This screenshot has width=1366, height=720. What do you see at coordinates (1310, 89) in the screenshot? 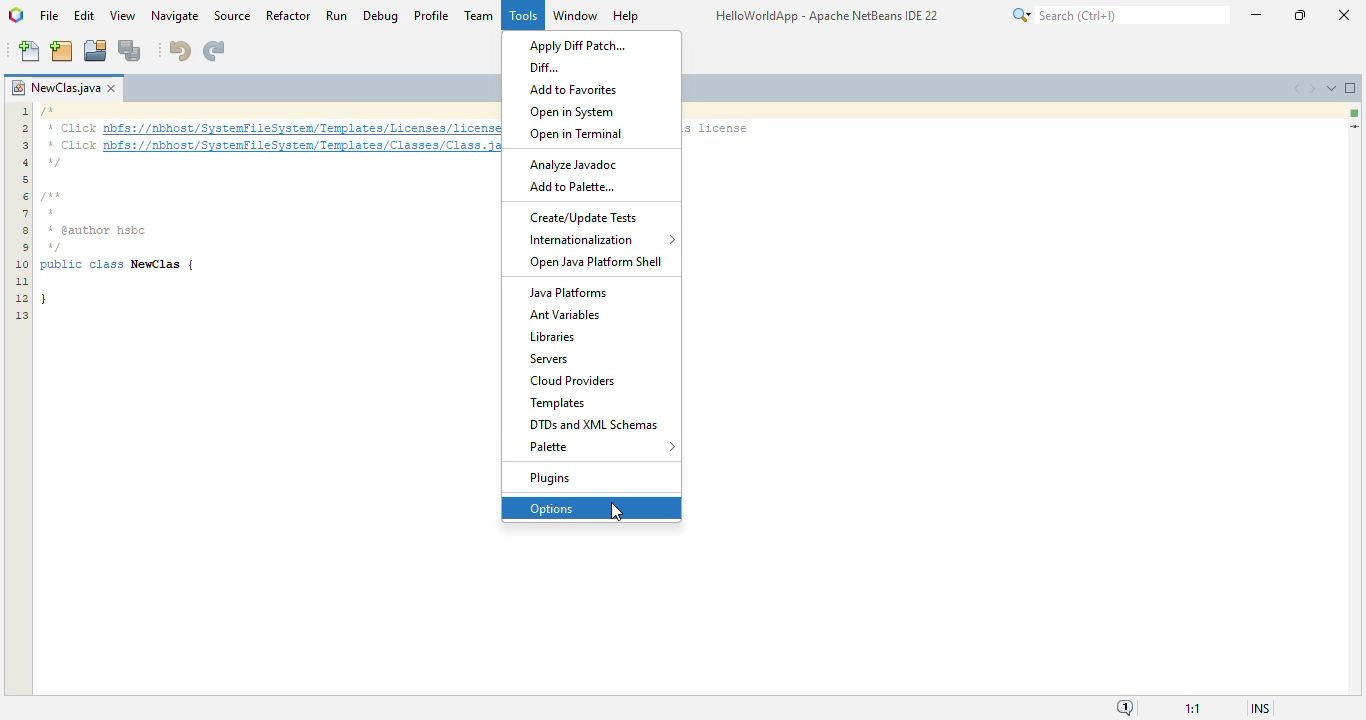
I see `scroll documents right` at bounding box center [1310, 89].